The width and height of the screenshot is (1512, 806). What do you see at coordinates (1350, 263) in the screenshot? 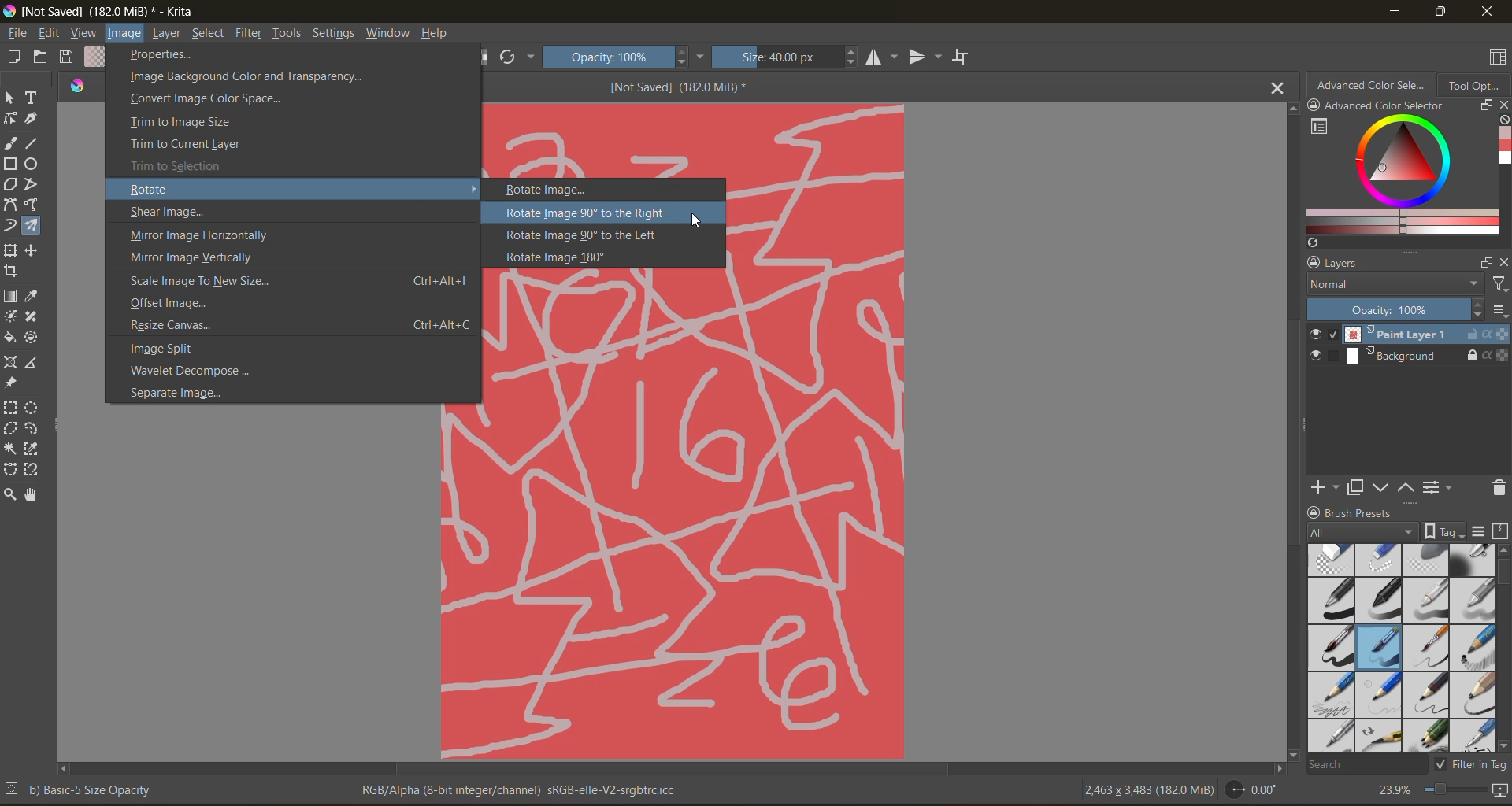
I see `Layers` at bounding box center [1350, 263].